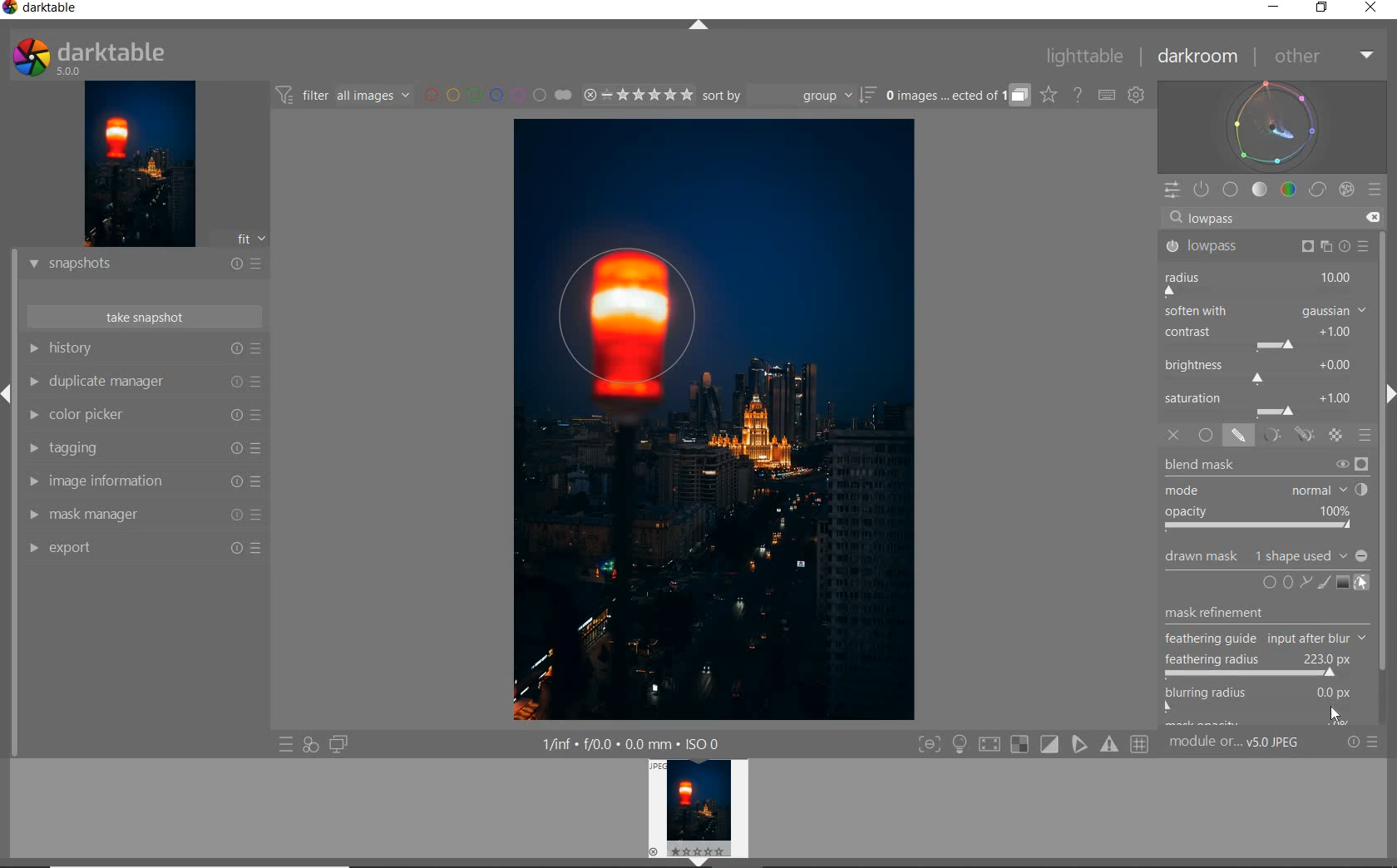 This screenshot has width=1397, height=868. What do you see at coordinates (1266, 494) in the screenshot?
I see `BLEND MASK` at bounding box center [1266, 494].